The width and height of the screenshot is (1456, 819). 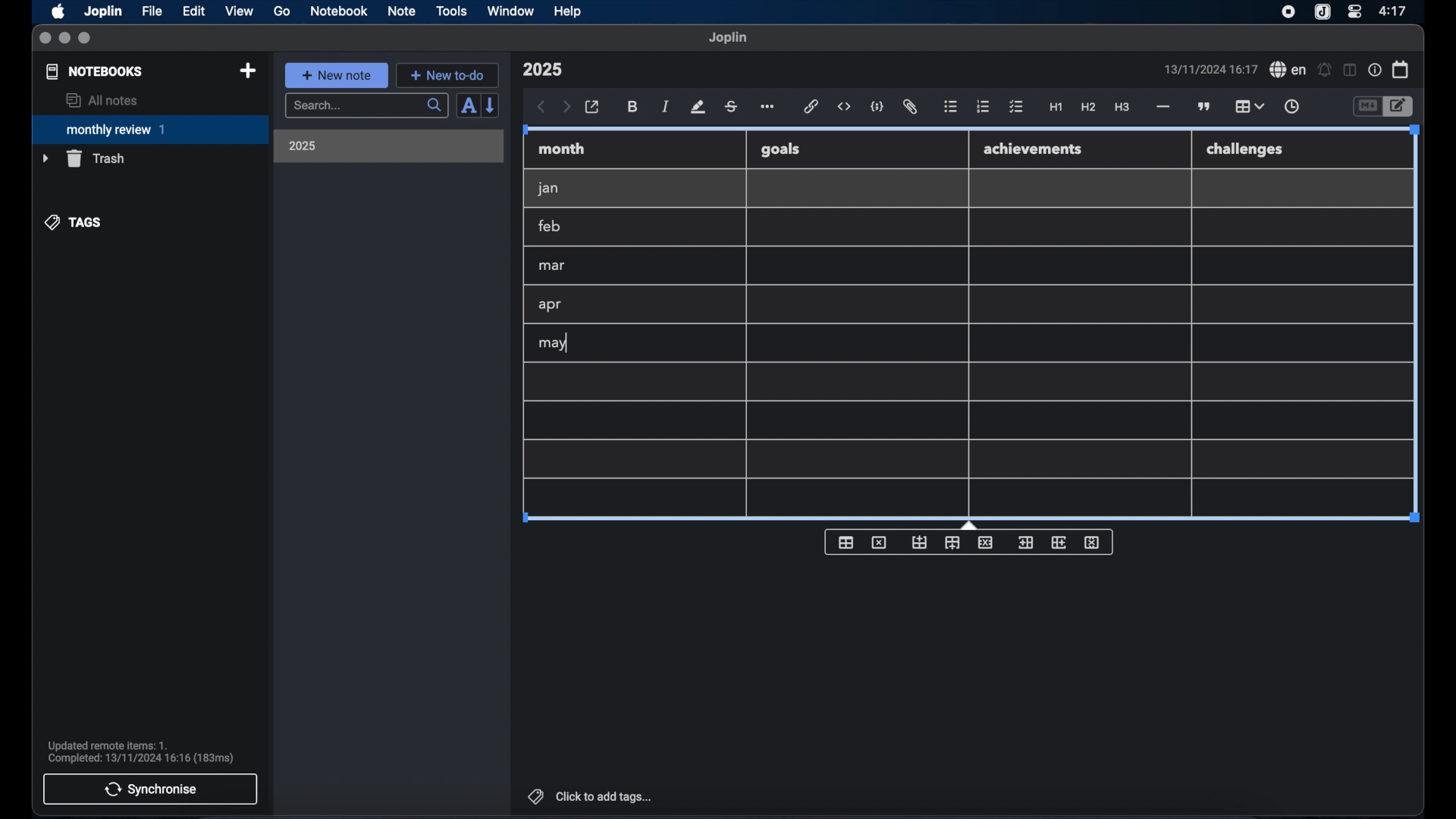 I want to click on toggle editor layout, so click(x=1351, y=70).